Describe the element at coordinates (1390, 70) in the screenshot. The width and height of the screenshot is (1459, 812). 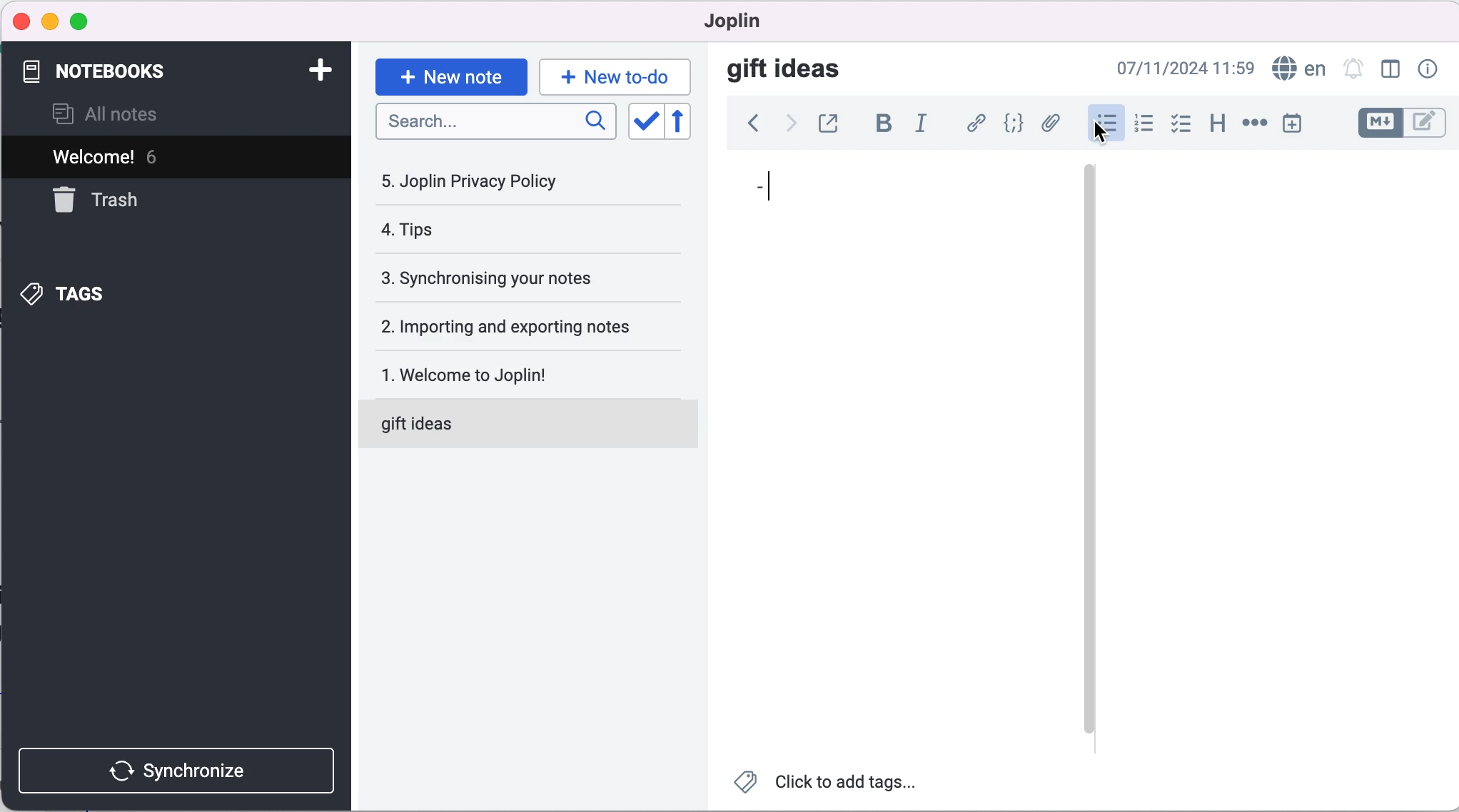
I see `toggle editor layout` at that location.